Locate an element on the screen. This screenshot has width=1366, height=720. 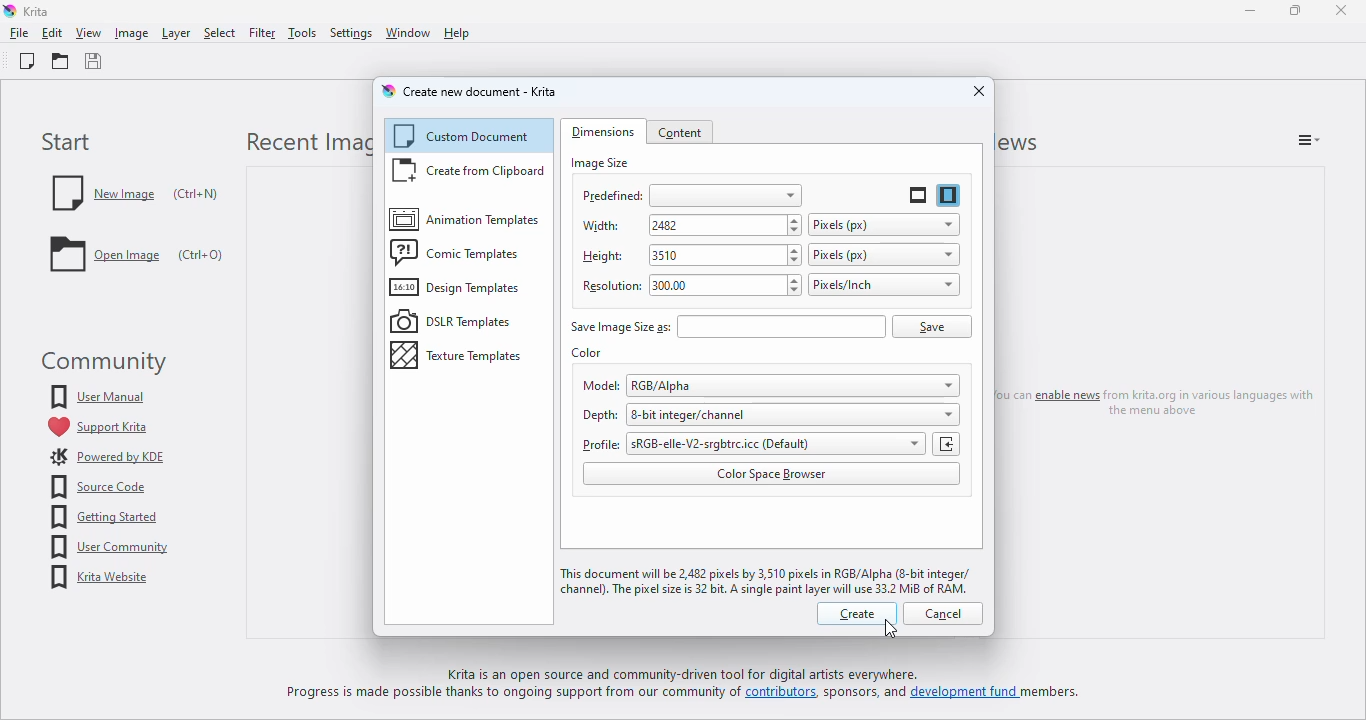
cancel is located at coordinates (943, 614).